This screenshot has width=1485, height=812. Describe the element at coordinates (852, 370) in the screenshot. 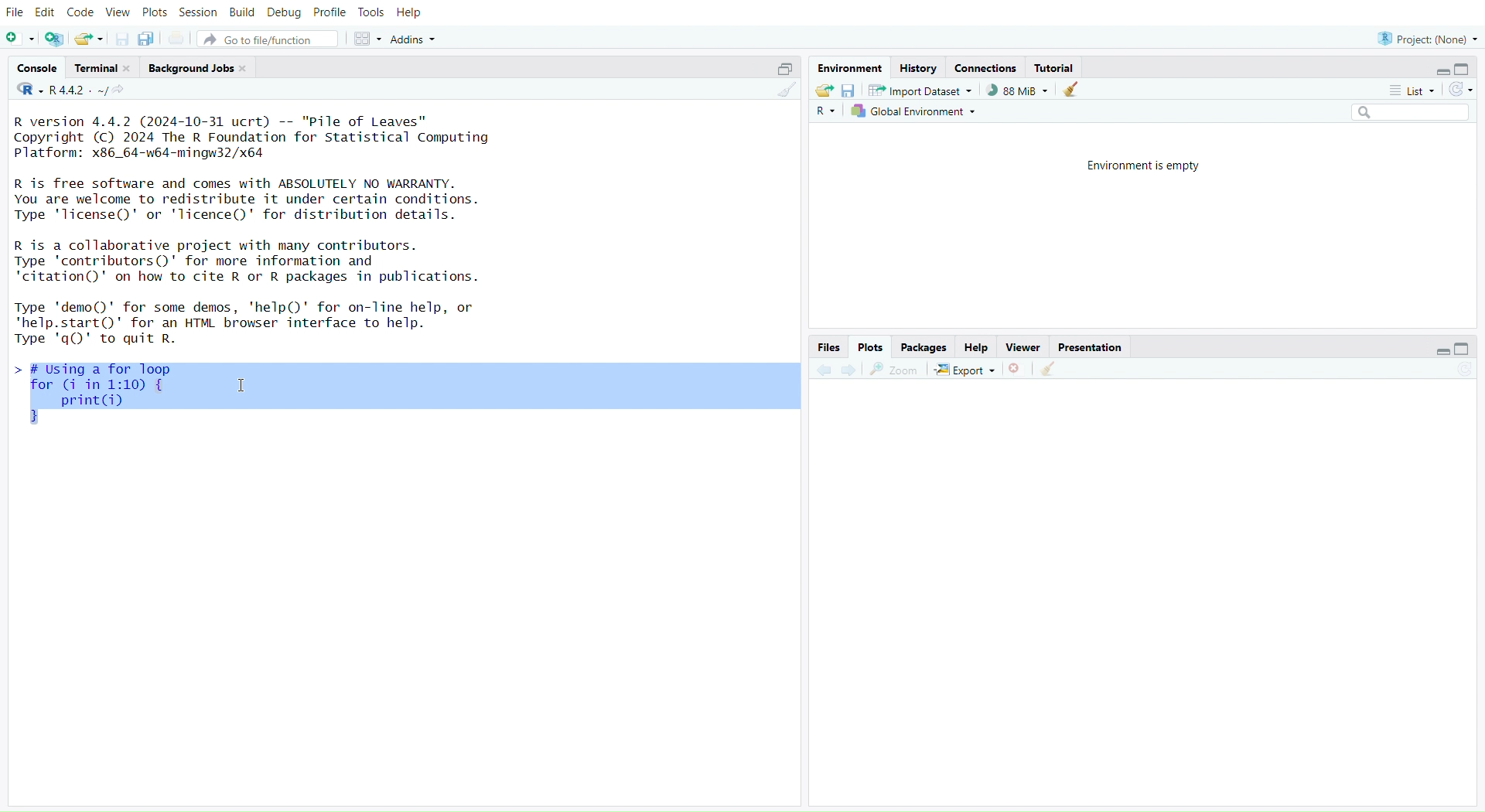

I see `forward` at that location.